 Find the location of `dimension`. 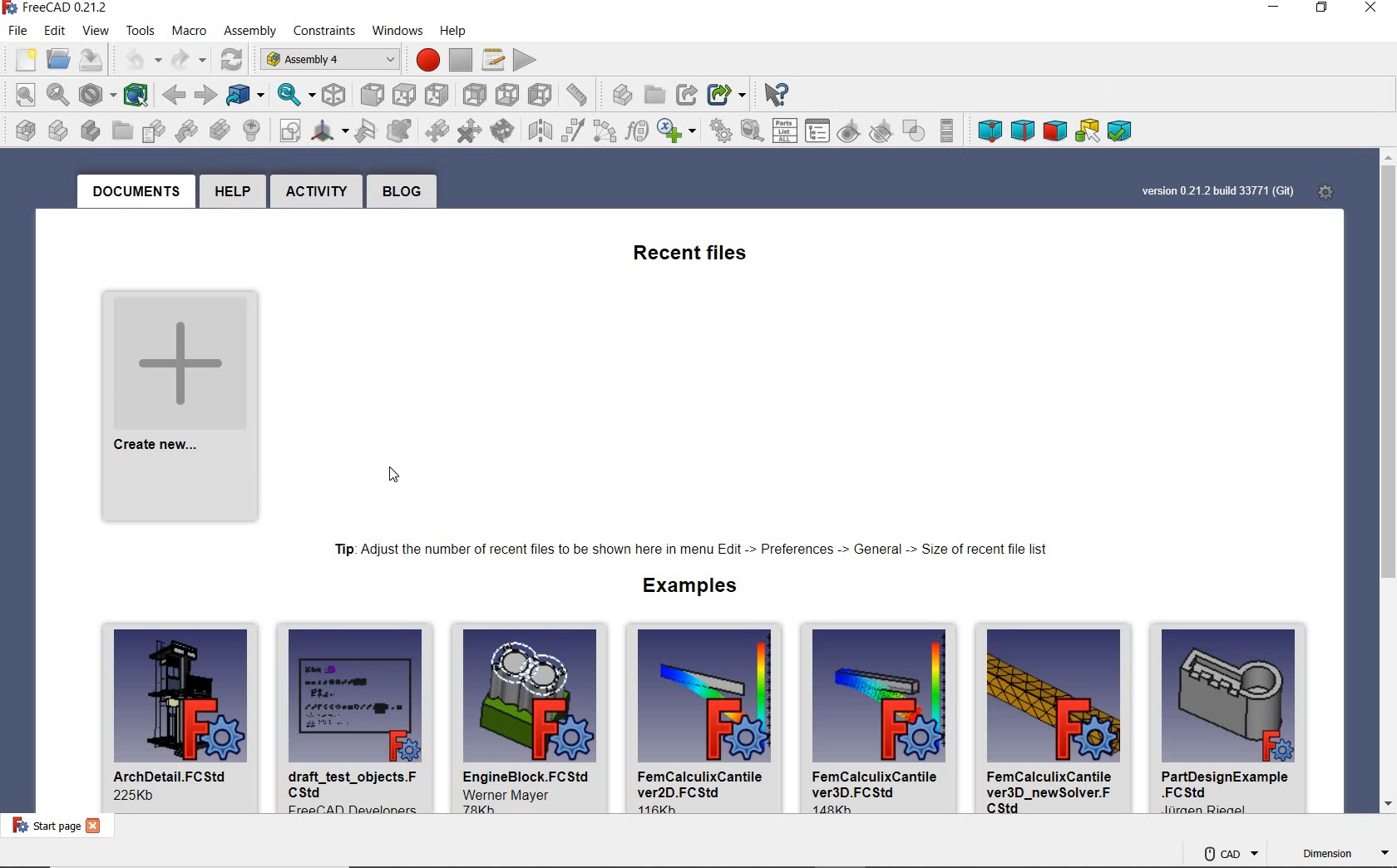

dimension is located at coordinates (1341, 855).